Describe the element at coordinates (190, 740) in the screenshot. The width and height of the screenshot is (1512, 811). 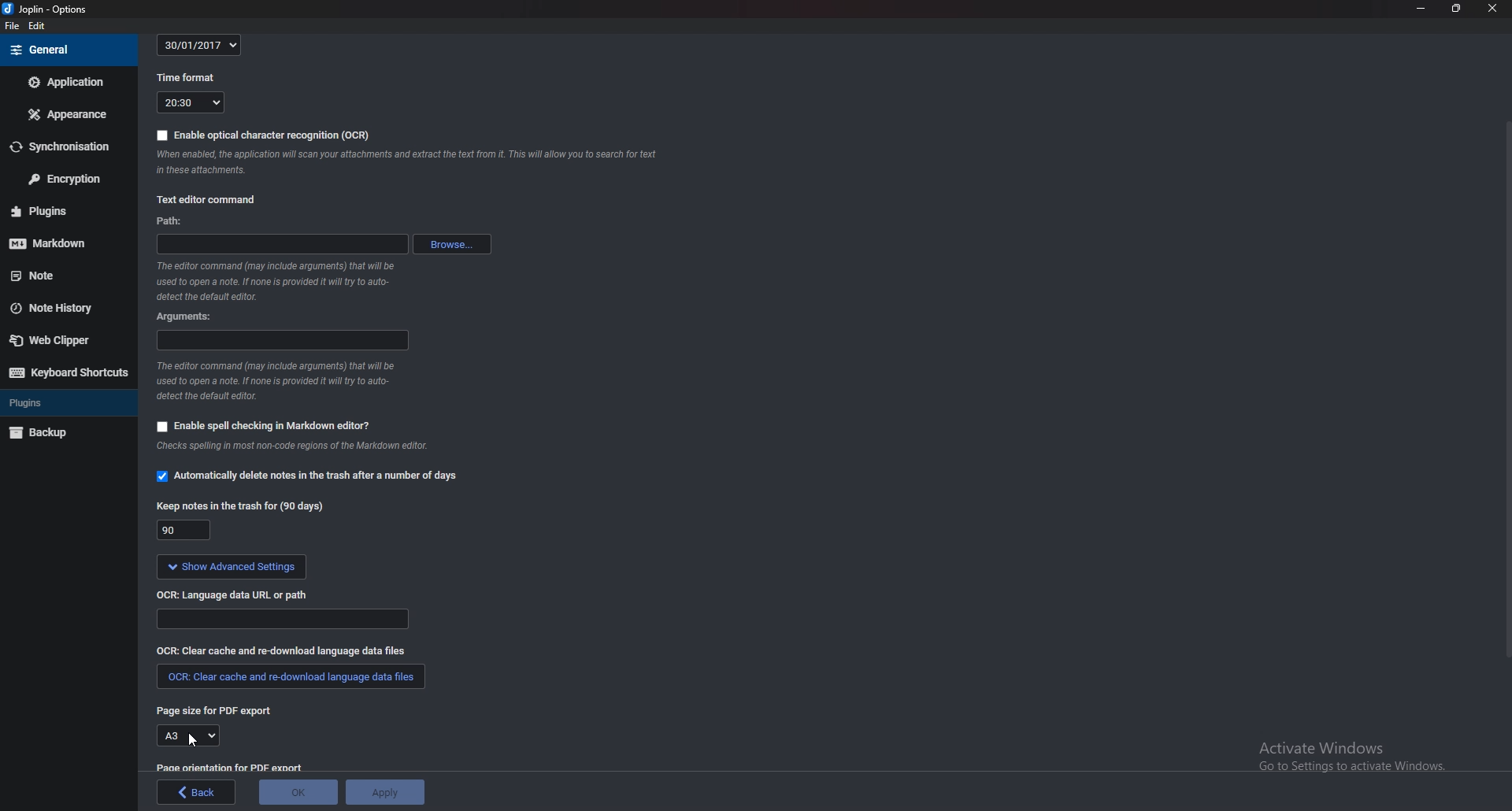
I see `Cursor` at that location.